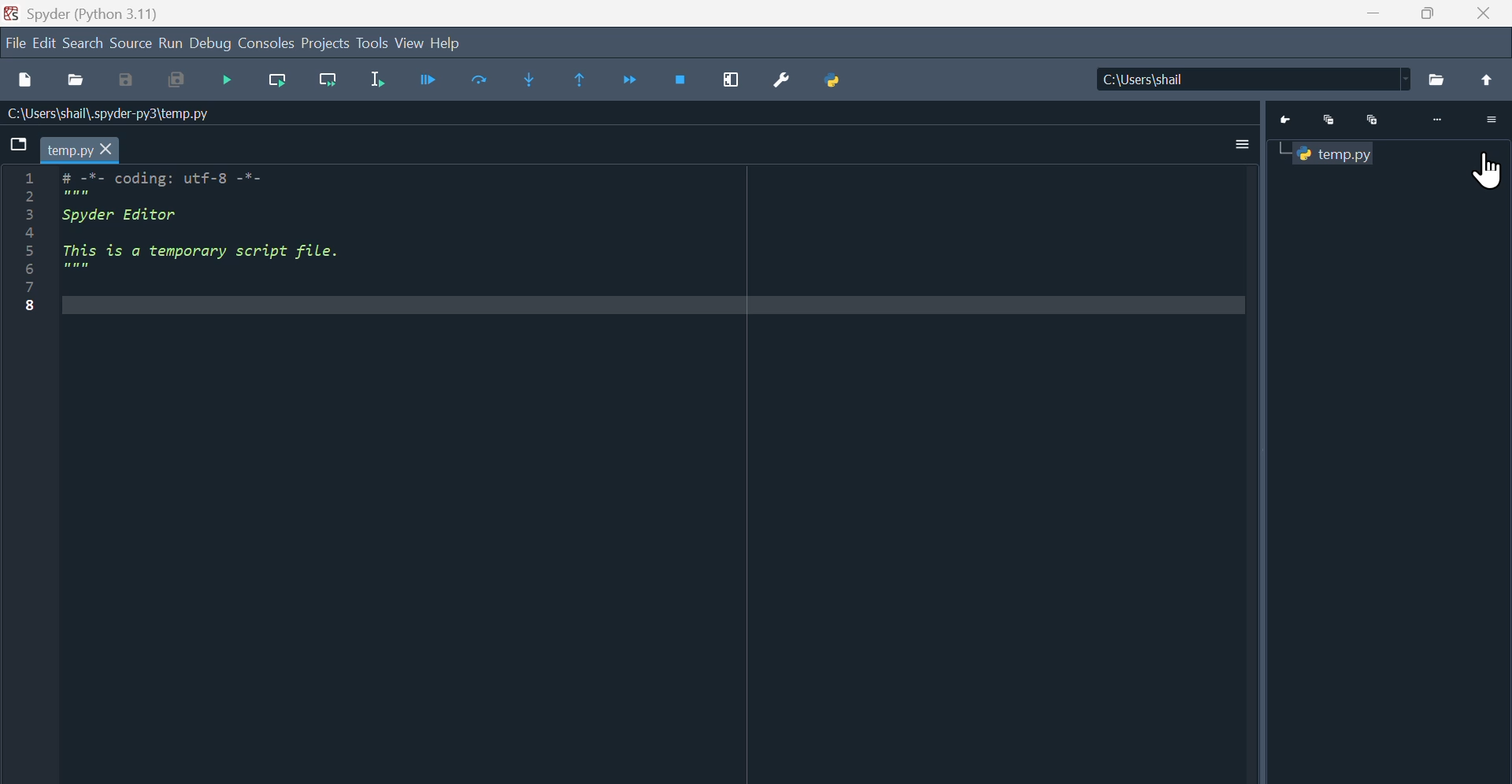 This screenshot has width=1512, height=784. Describe the element at coordinates (93, 15) in the screenshot. I see `Spyder (Python 3.11)` at that location.